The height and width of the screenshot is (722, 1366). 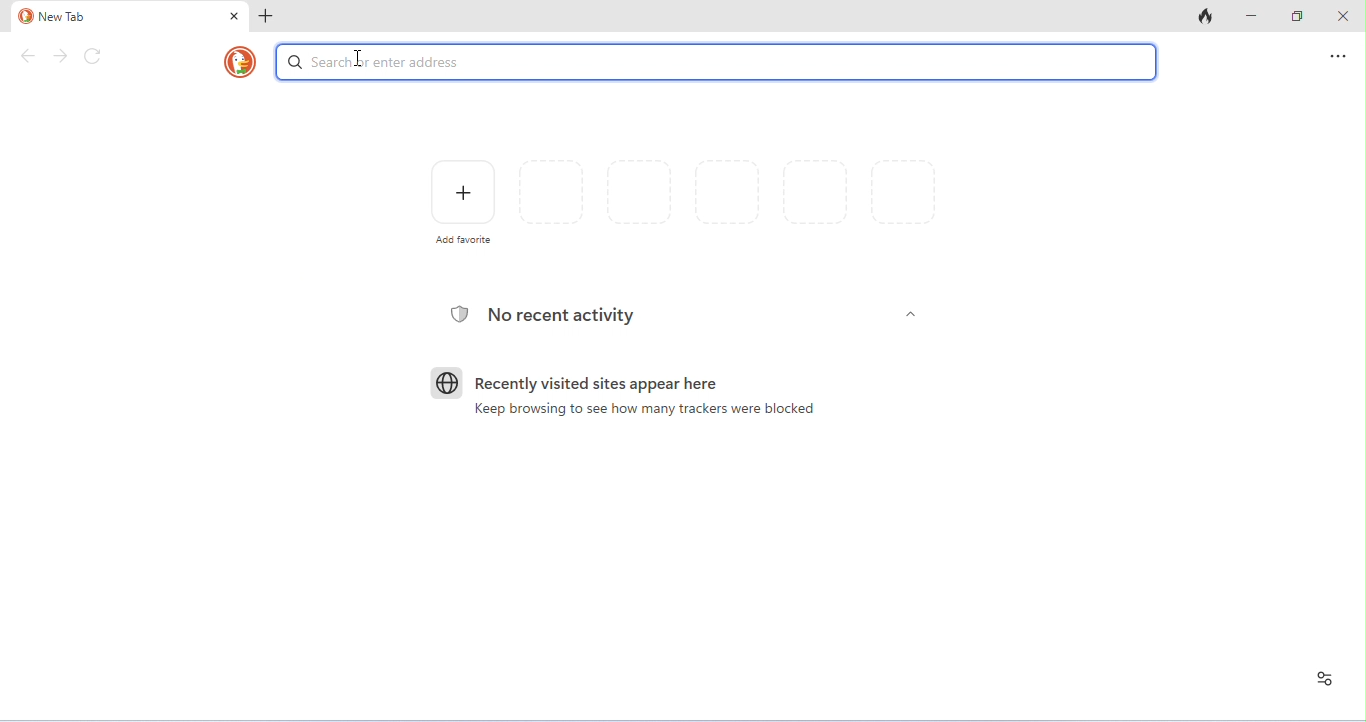 I want to click on back, so click(x=32, y=55).